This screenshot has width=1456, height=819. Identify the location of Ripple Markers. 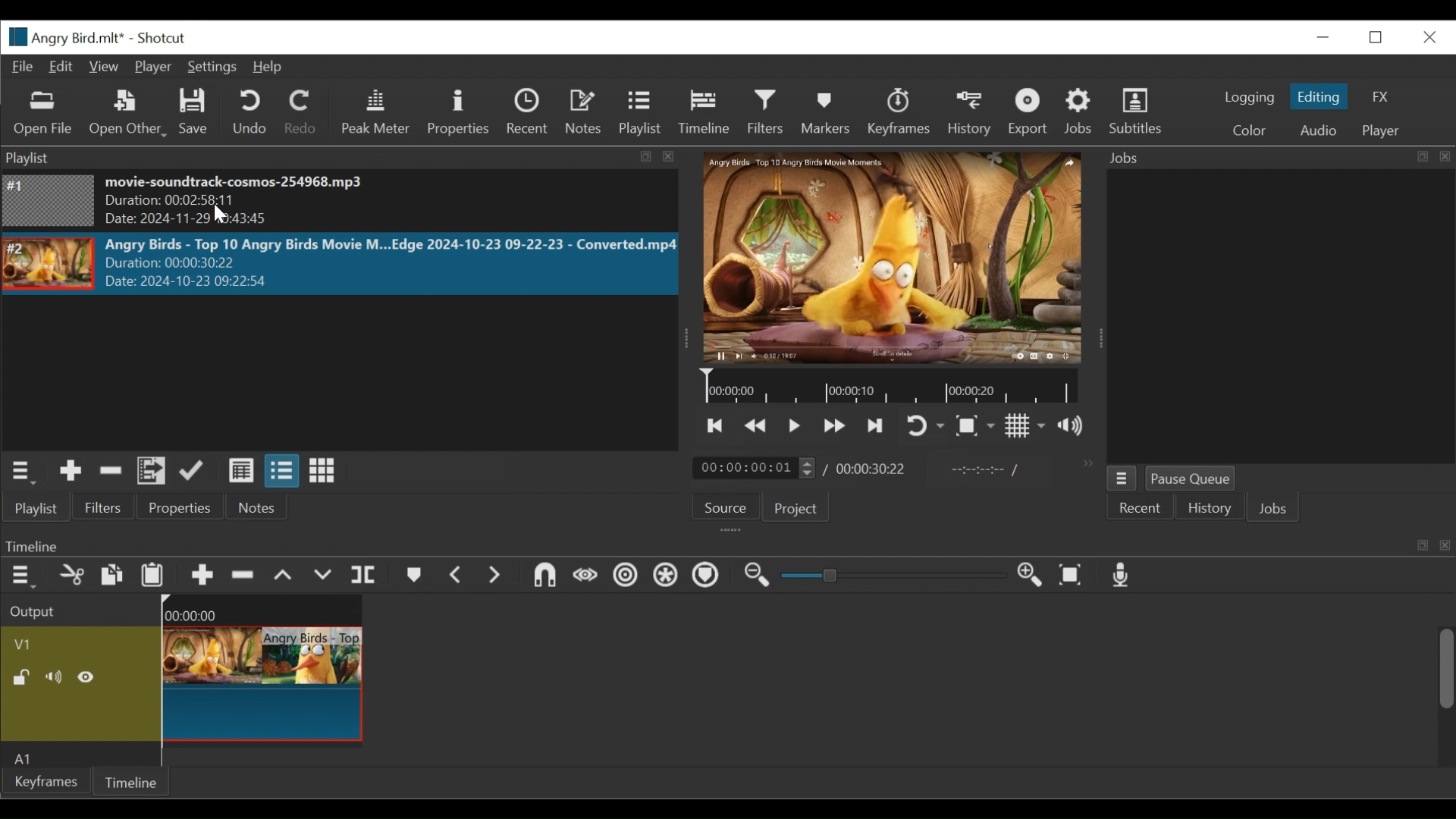
(706, 578).